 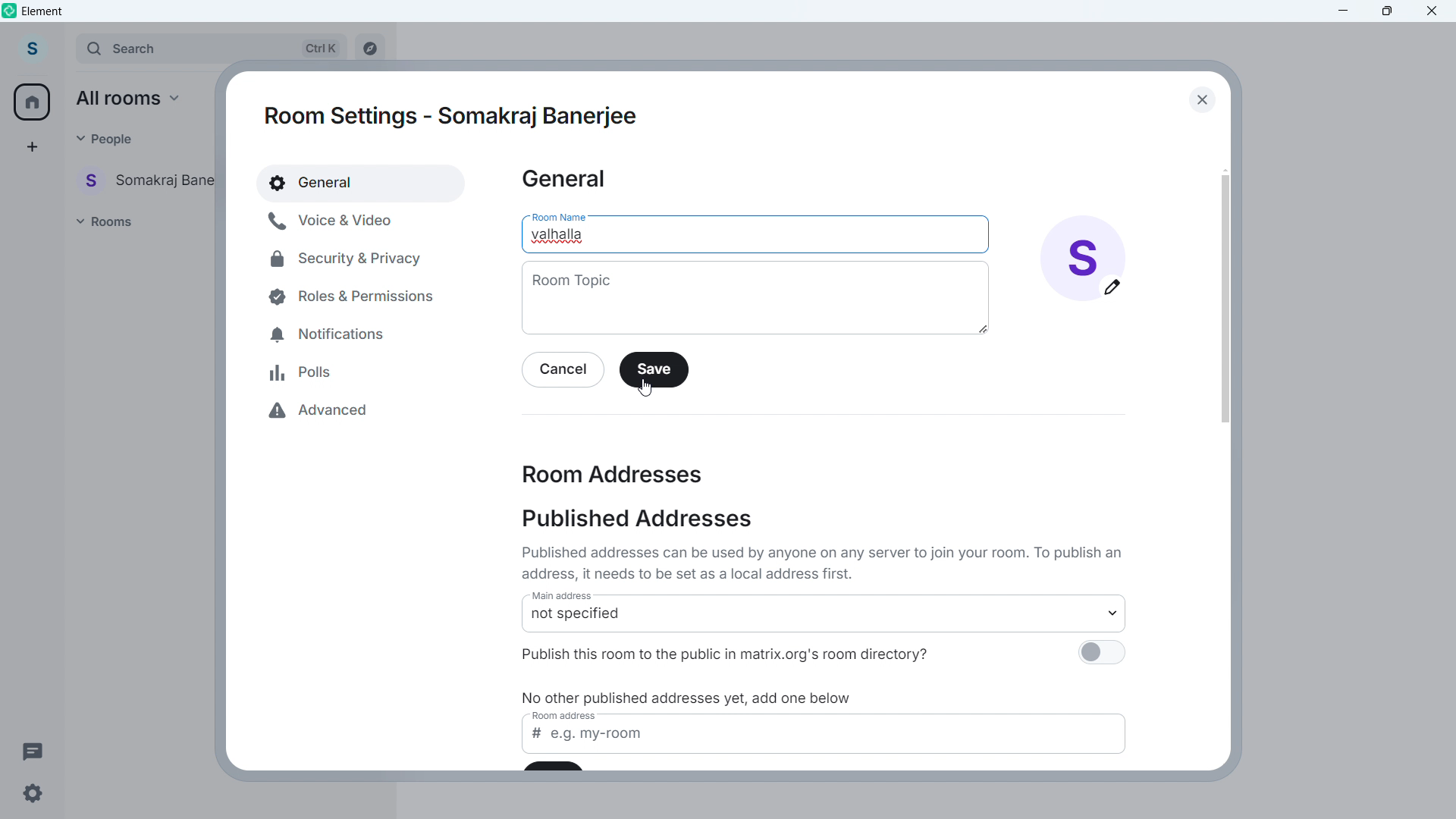 I want to click on General , so click(x=362, y=183).